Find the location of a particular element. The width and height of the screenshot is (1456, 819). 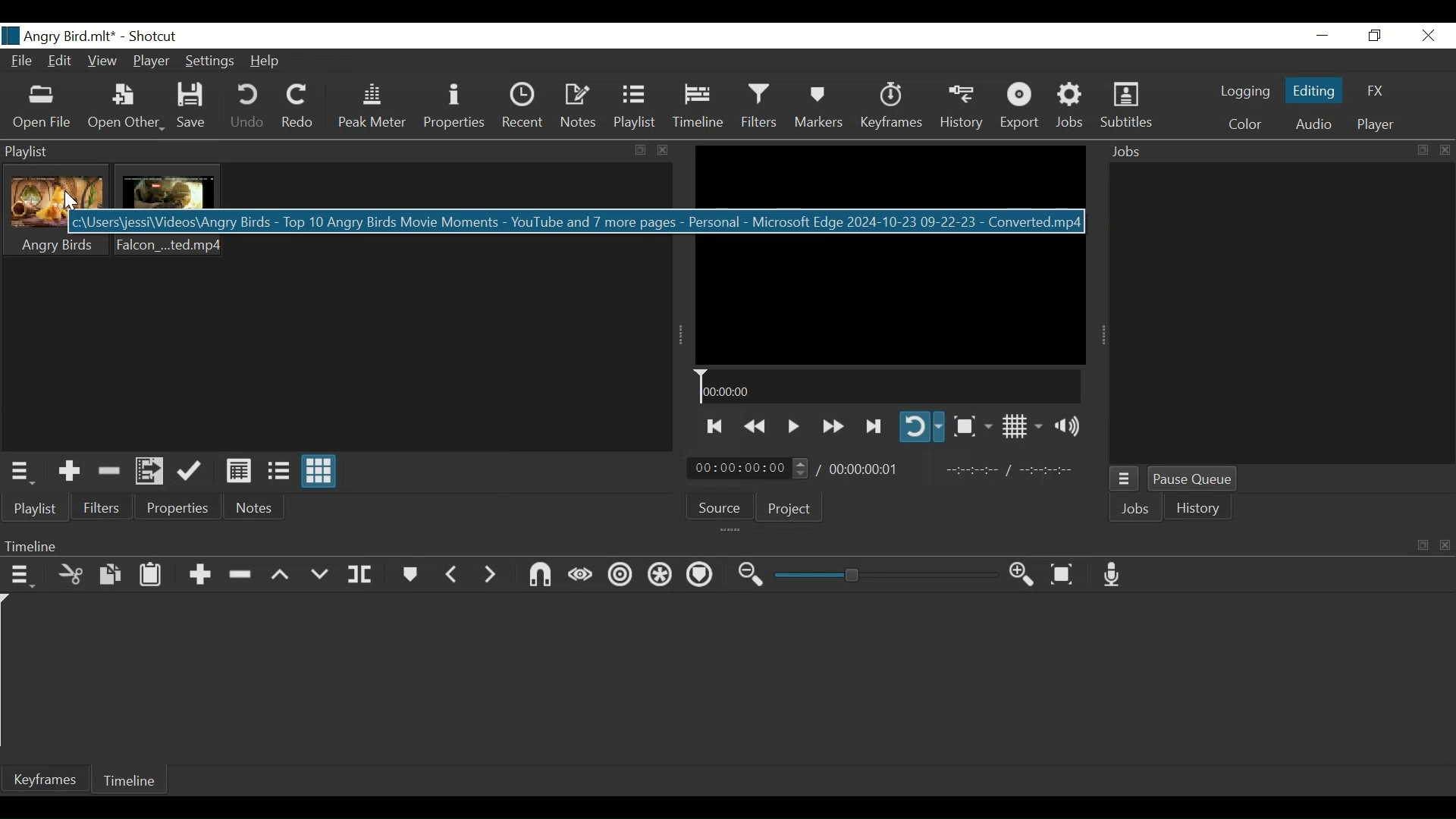

Split at playhead is located at coordinates (366, 575).